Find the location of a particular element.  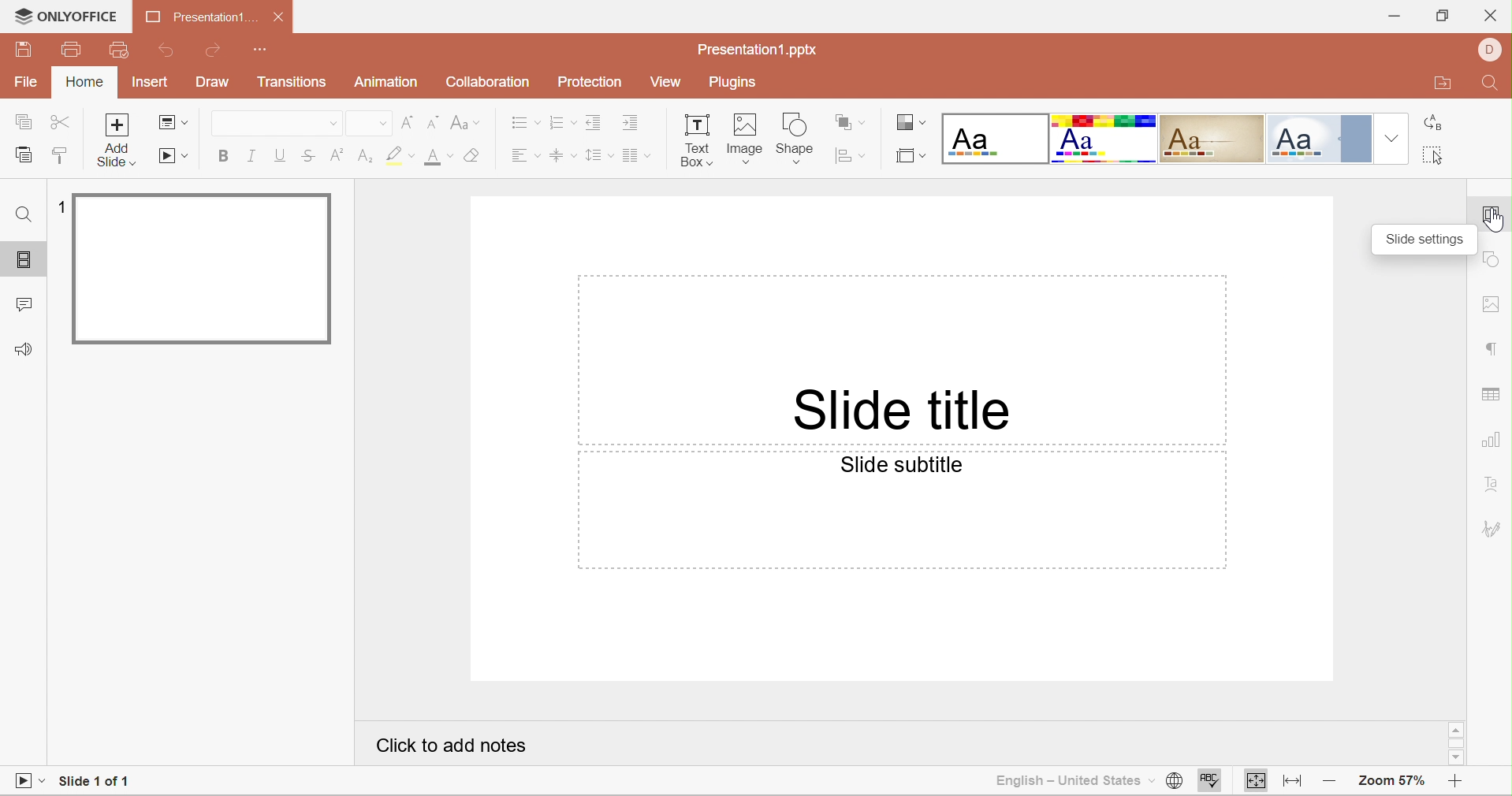

Slide settings is located at coordinates (1427, 238).